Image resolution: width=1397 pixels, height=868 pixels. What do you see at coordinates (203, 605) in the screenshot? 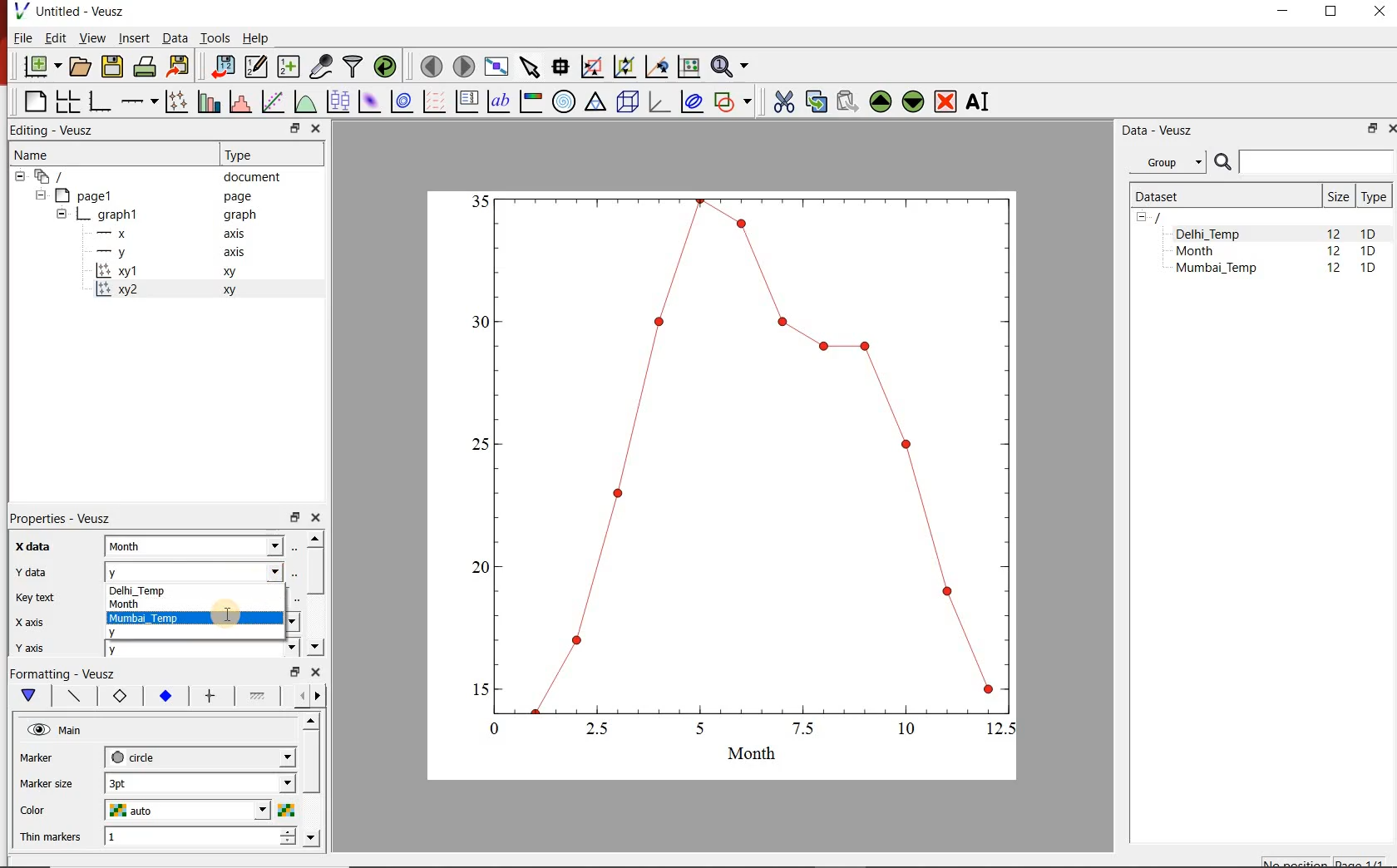
I see `Month` at bounding box center [203, 605].